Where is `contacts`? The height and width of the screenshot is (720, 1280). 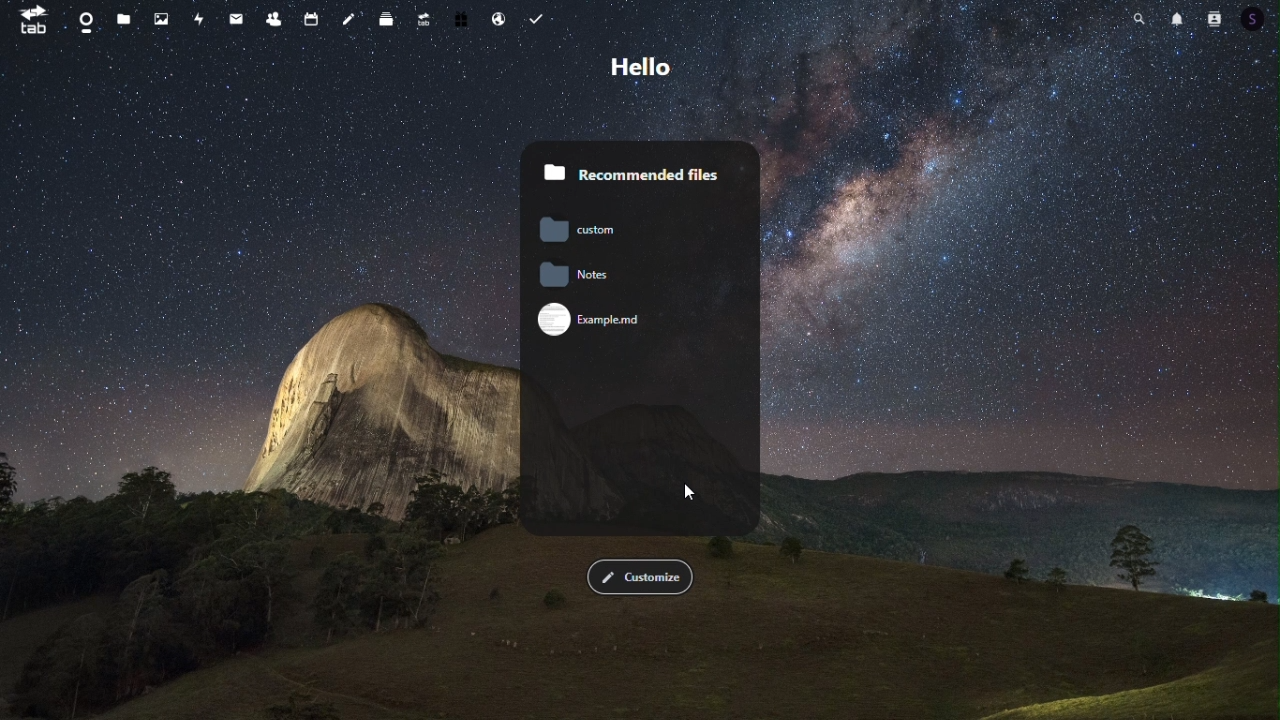 contacts is located at coordinates (274, 18).